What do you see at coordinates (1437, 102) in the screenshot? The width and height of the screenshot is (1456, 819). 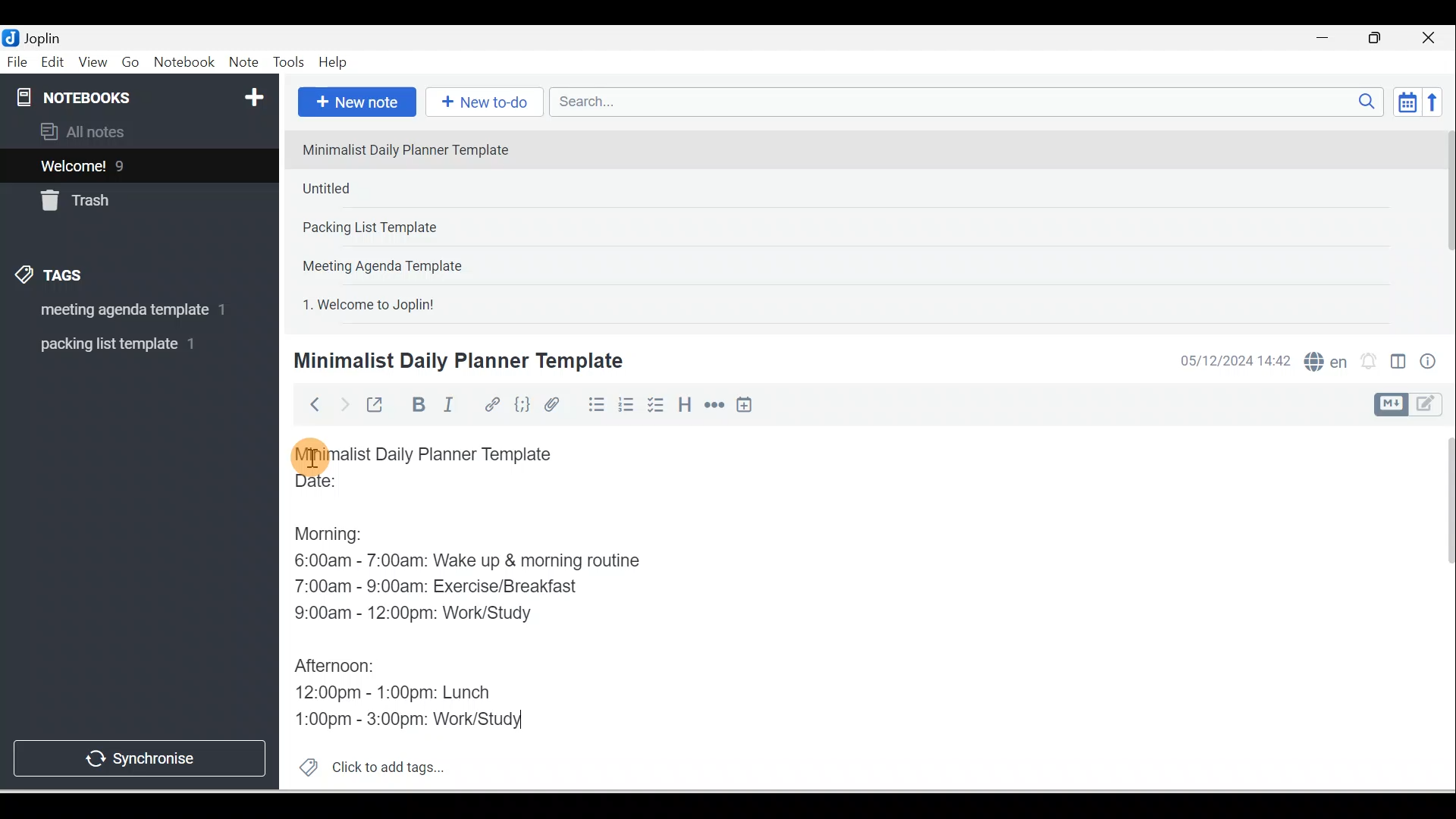 I see `Reverse sort` at bounding box center [1437, 102].